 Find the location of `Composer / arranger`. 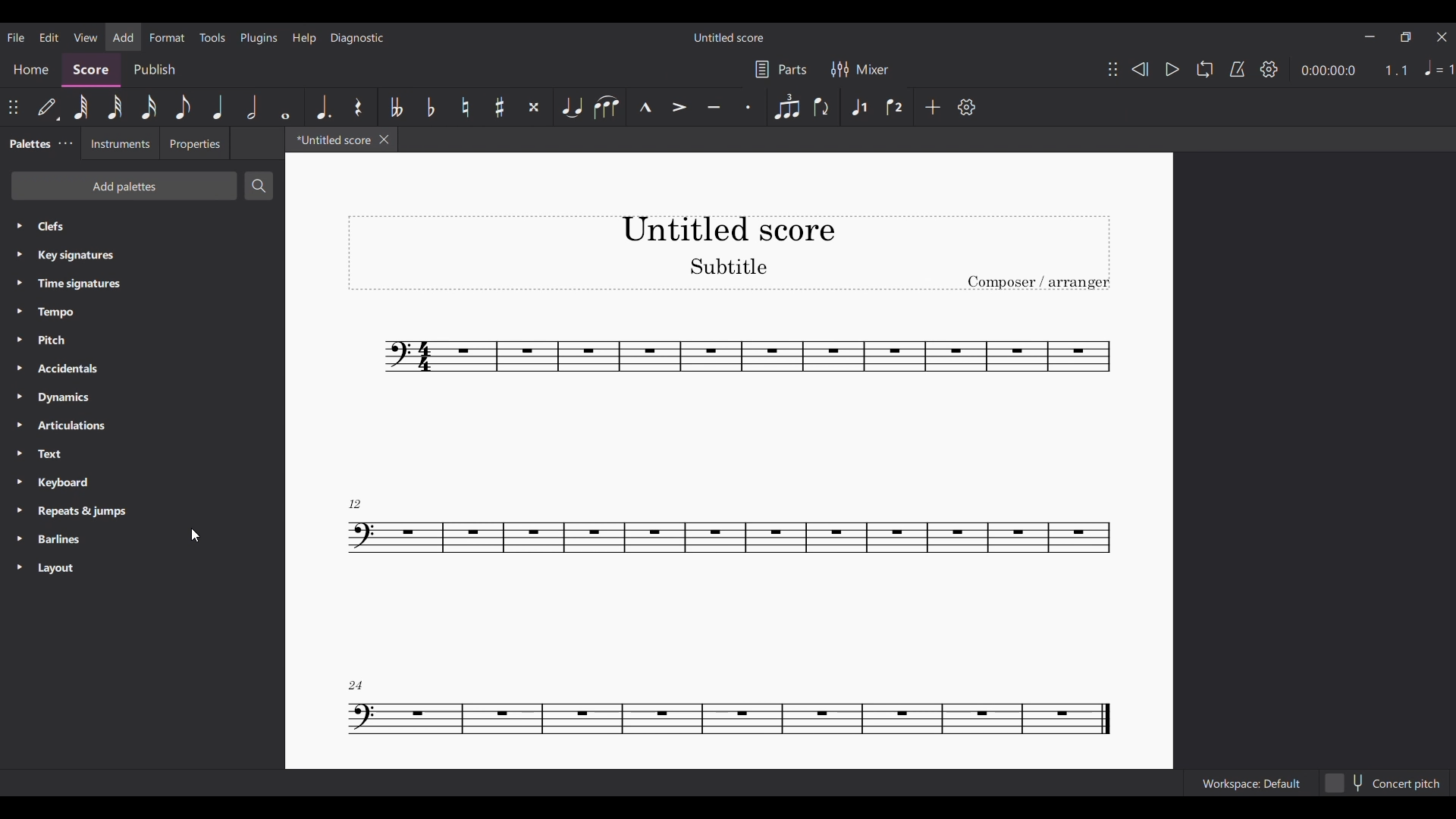

Composer / arranger is located at coordinates (1037, 281).